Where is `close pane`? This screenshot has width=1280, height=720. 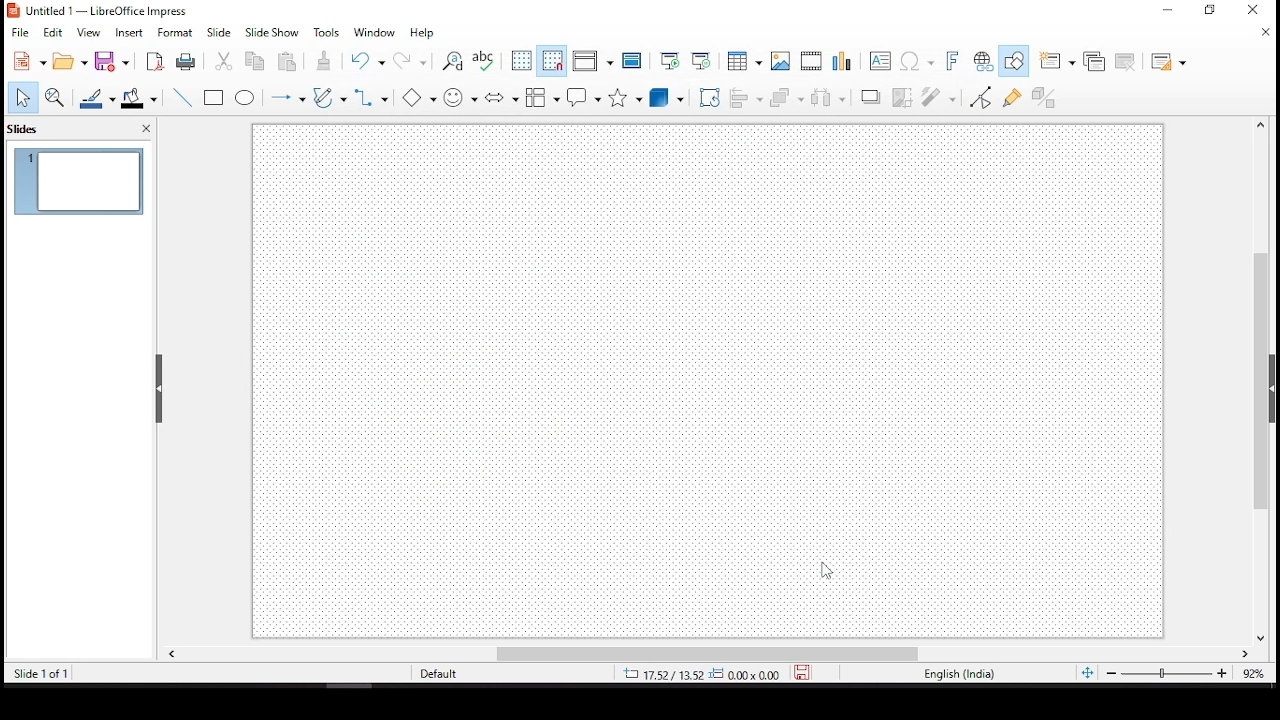 close pane is located at coordinates (156, 389).